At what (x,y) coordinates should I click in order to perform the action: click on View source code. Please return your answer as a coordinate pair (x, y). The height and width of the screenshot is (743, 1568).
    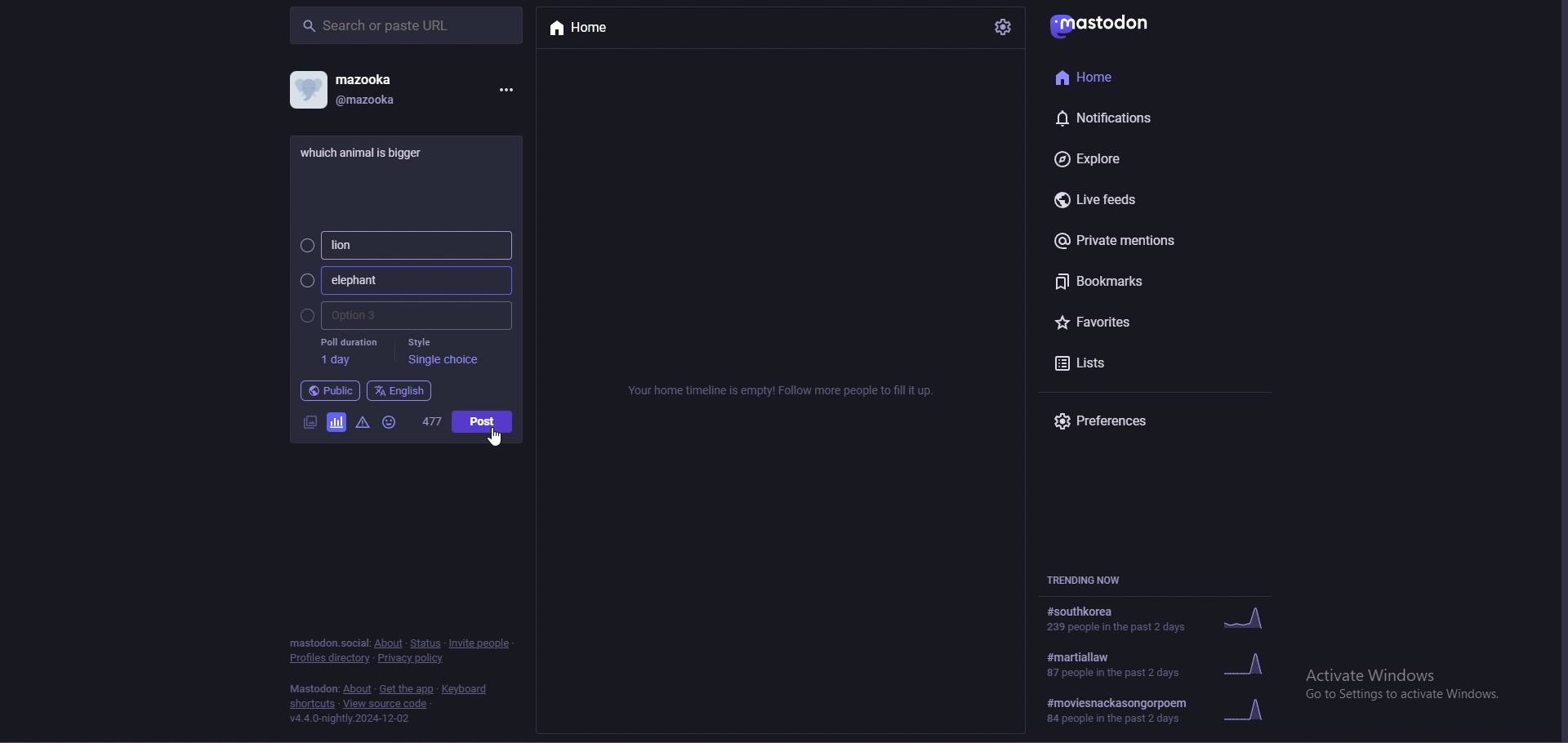
    Looking at the image, I should click on (390, 704).